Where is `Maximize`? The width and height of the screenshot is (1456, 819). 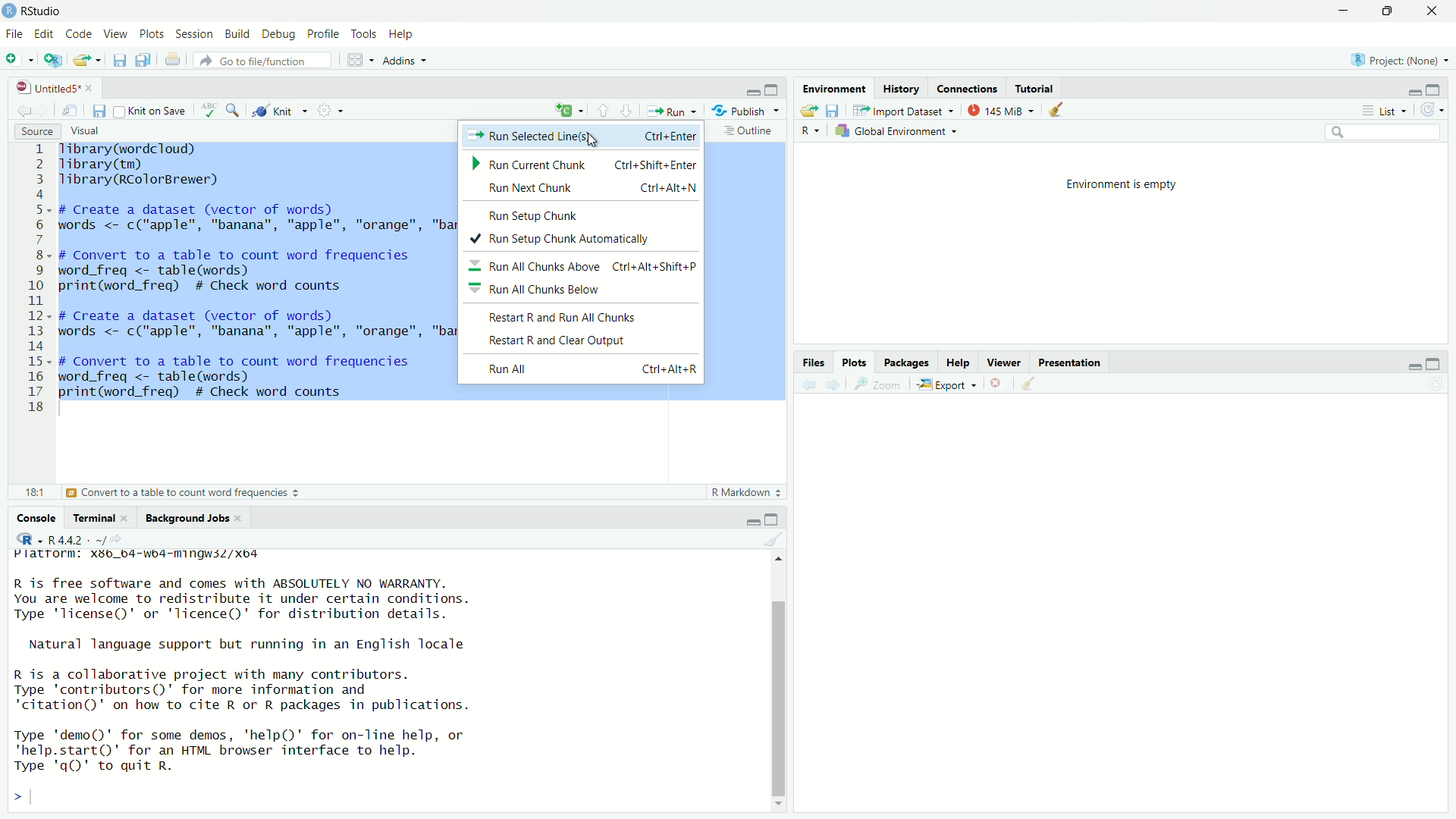 Maximize is located at coordinates (774, 90).